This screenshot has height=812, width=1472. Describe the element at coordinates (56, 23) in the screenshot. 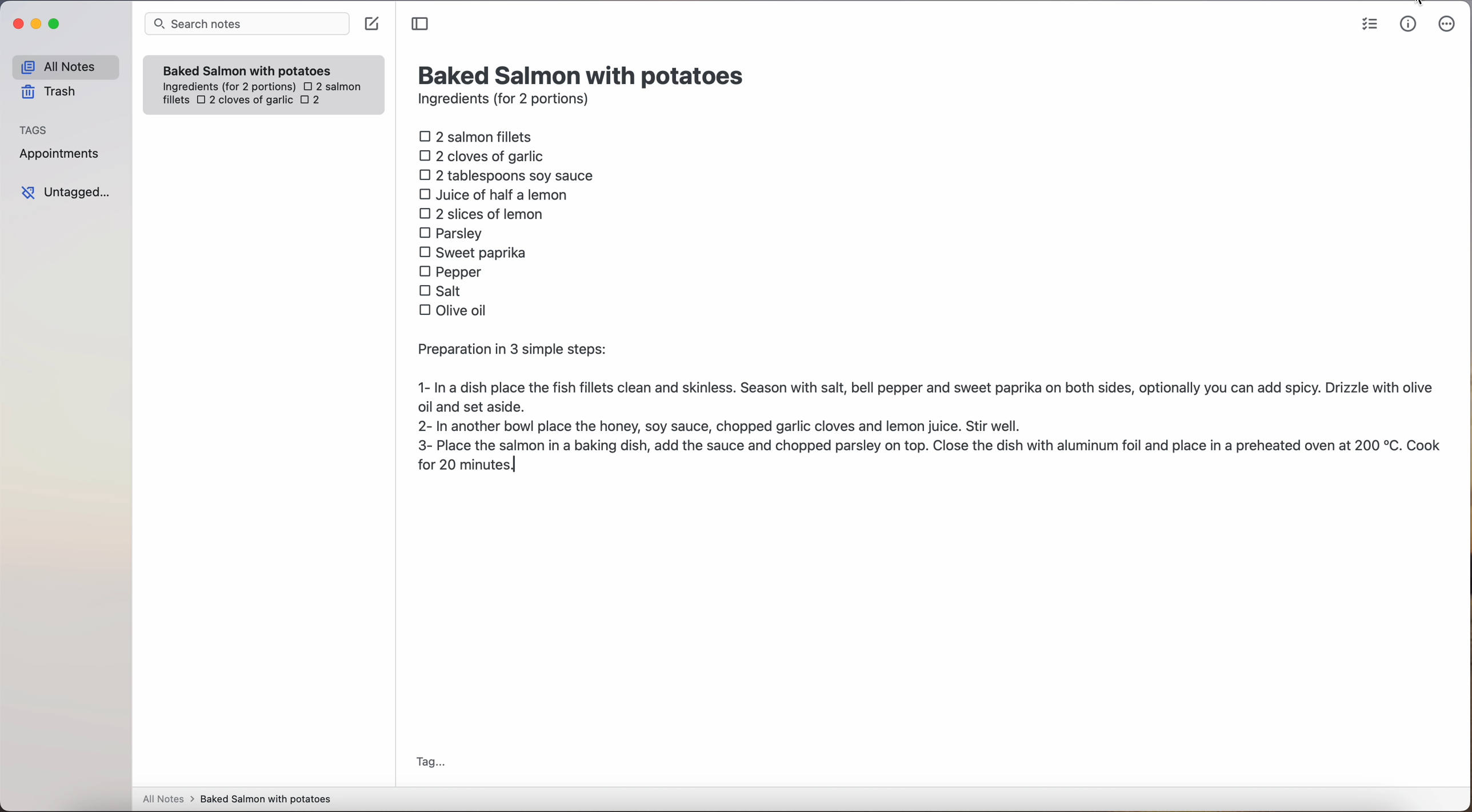

I see `maximize` at that location.